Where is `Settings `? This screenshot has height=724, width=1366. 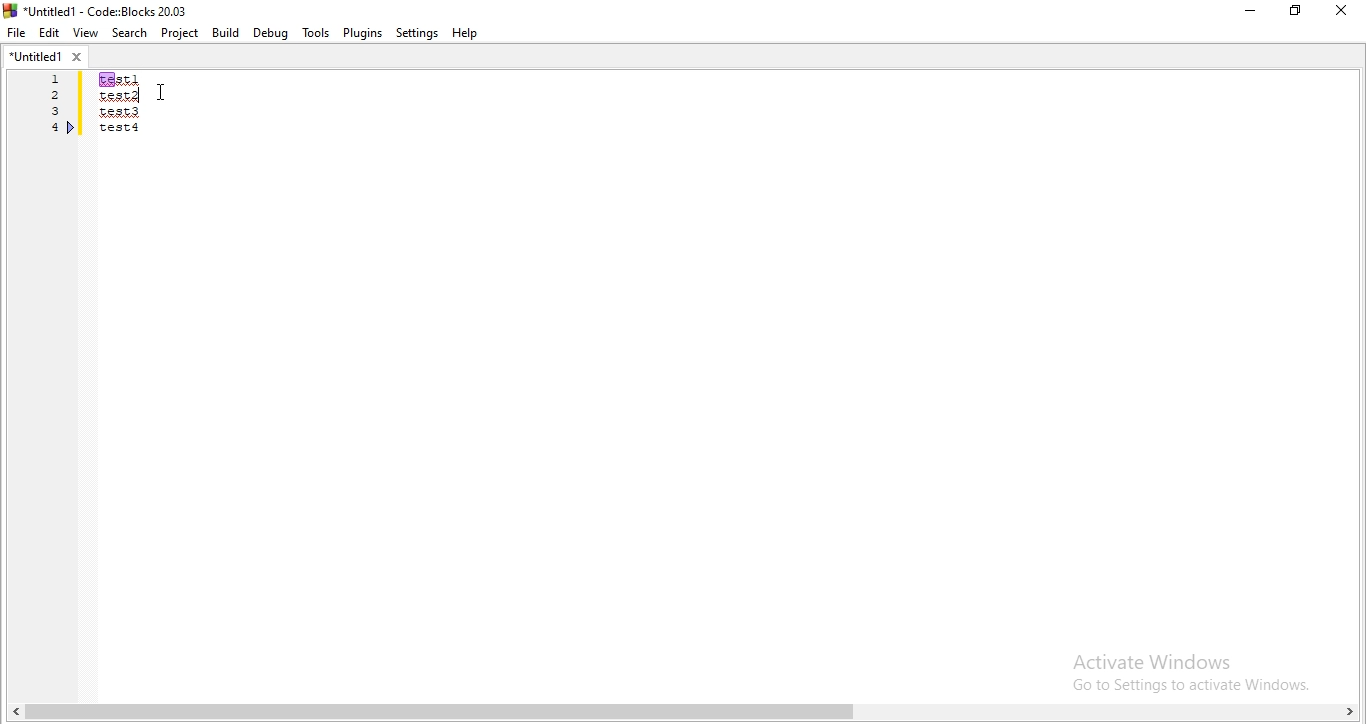 Settings  is located at coordinates (417, 34).